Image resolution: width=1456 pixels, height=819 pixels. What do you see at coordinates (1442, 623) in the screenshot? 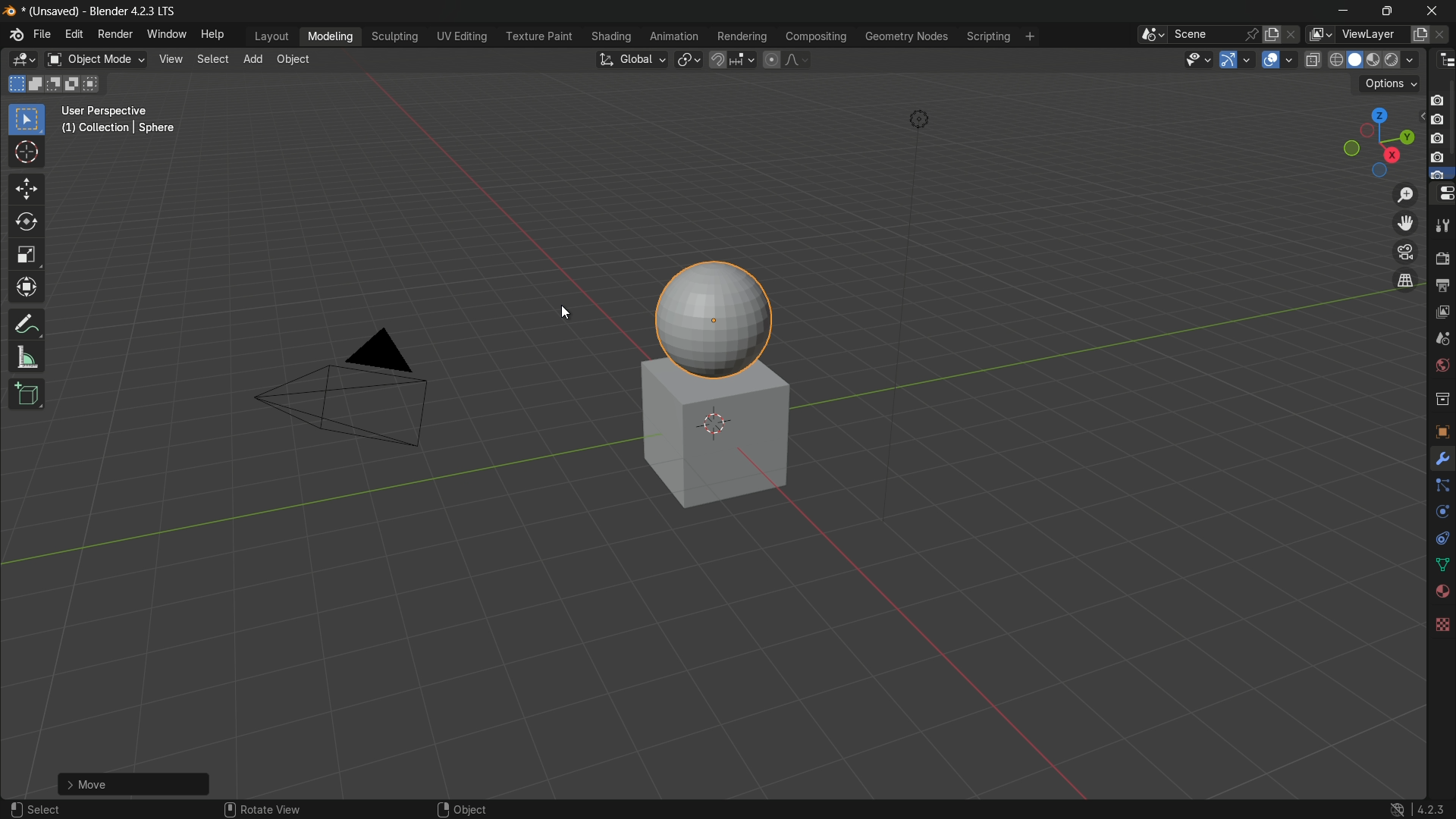
I see `Texture Properties` at bounding box center [1442, 623].